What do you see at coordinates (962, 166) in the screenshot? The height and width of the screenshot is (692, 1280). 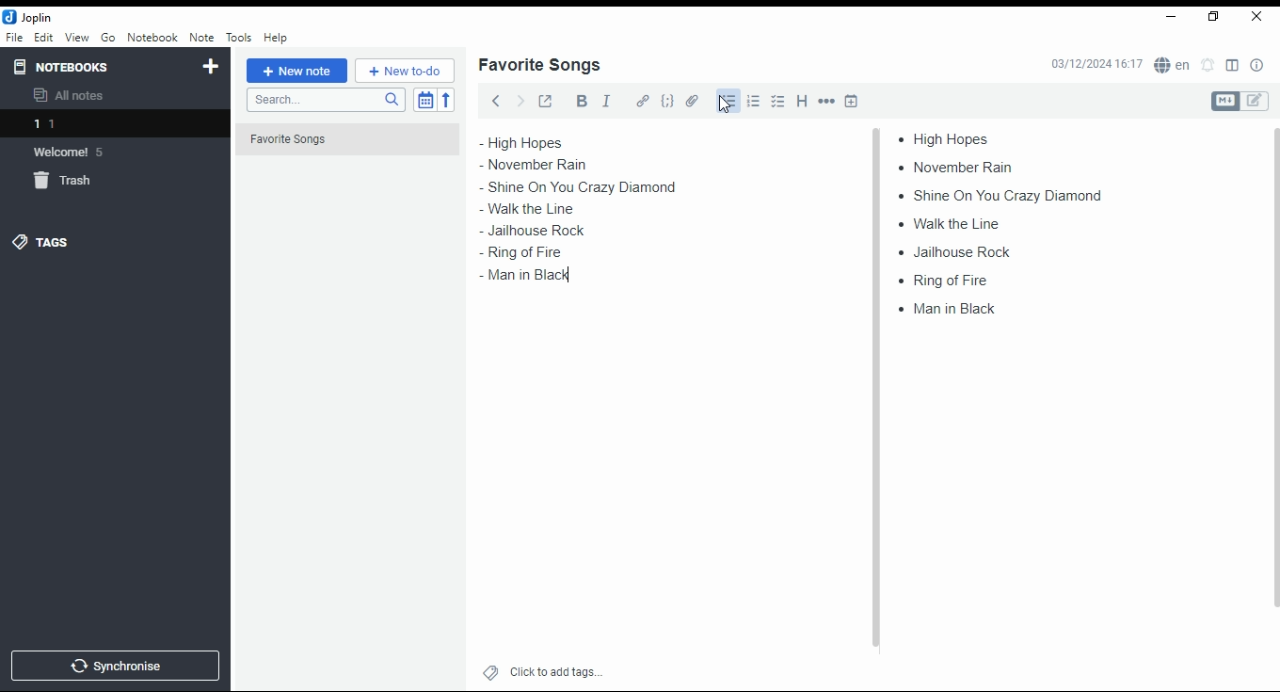 I see `november rain` at bounding box center [962, 166].